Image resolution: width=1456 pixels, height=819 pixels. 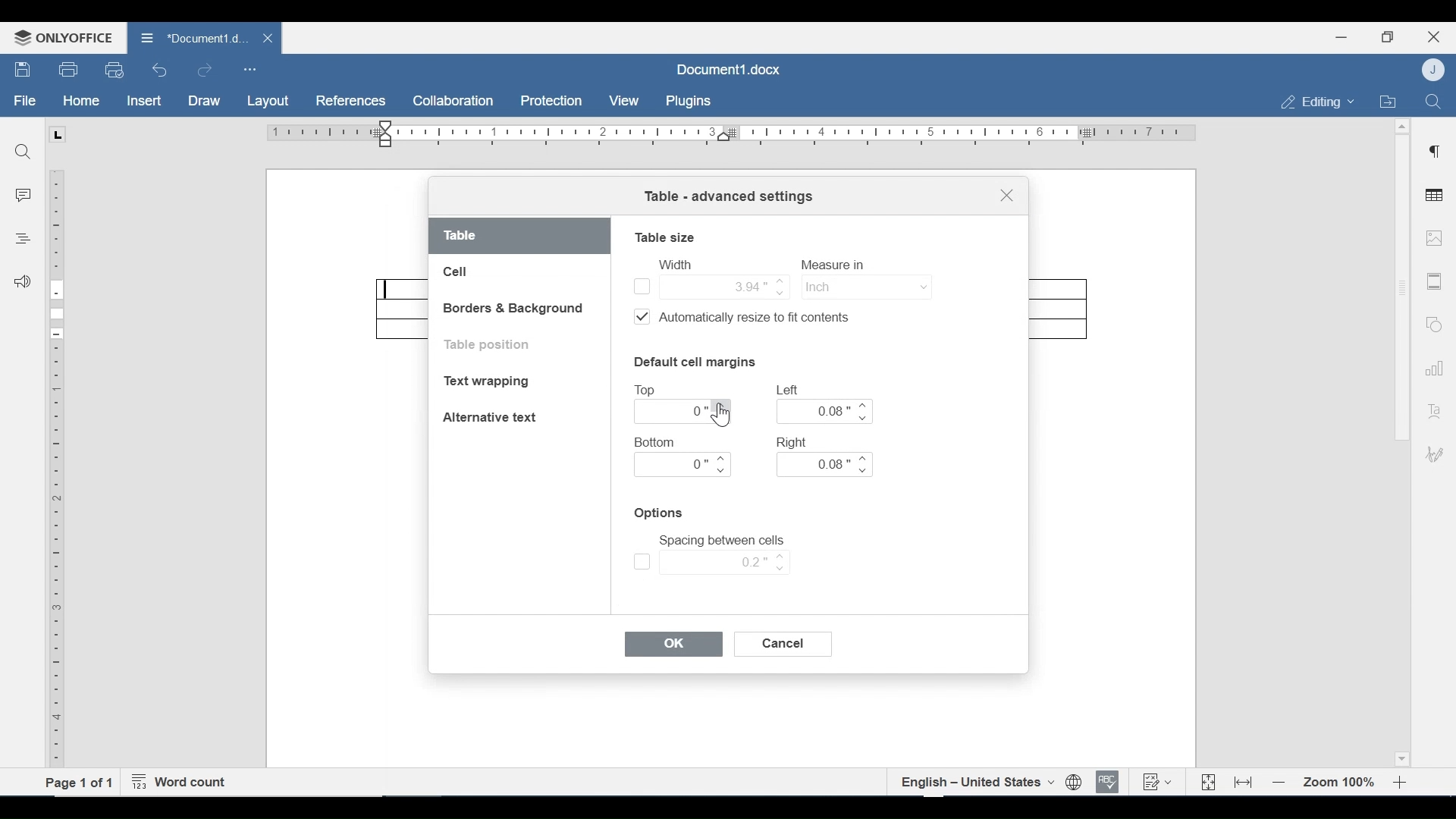 I want to click on 0.2, so click(x=684, y=412).